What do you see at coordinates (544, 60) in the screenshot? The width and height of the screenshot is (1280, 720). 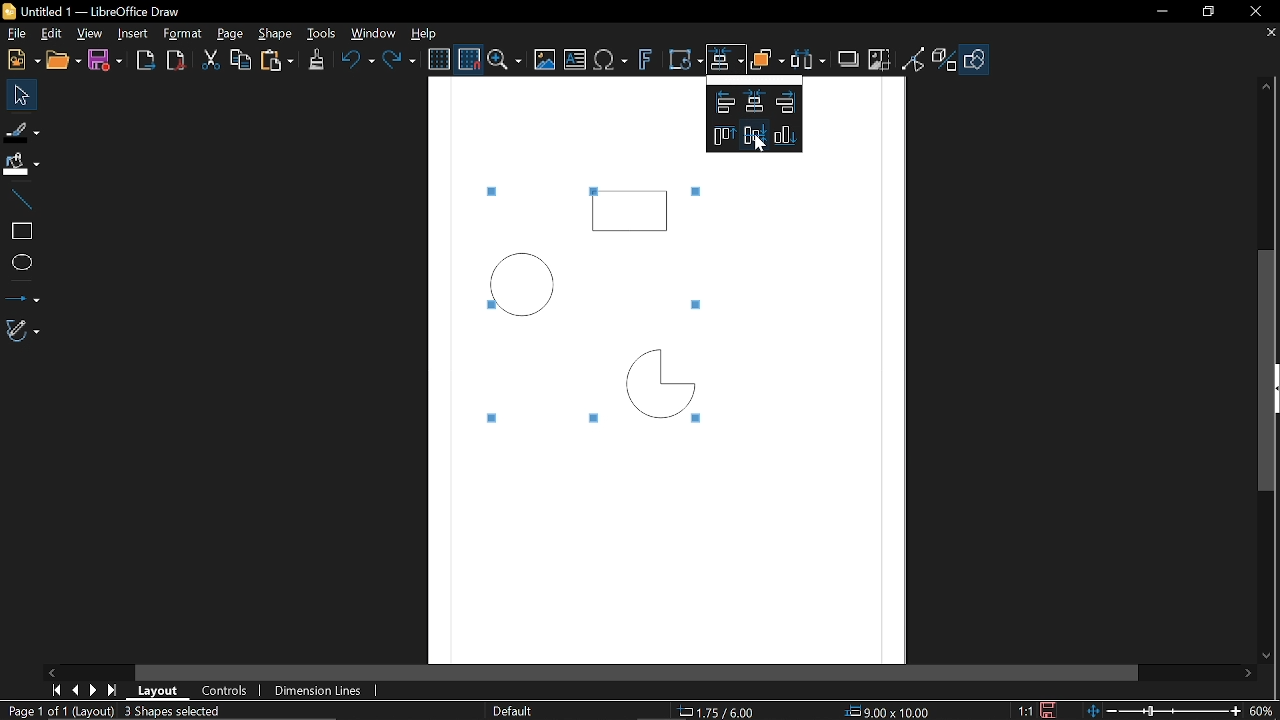 I see `Insert image` at bounding box center [544, 60].